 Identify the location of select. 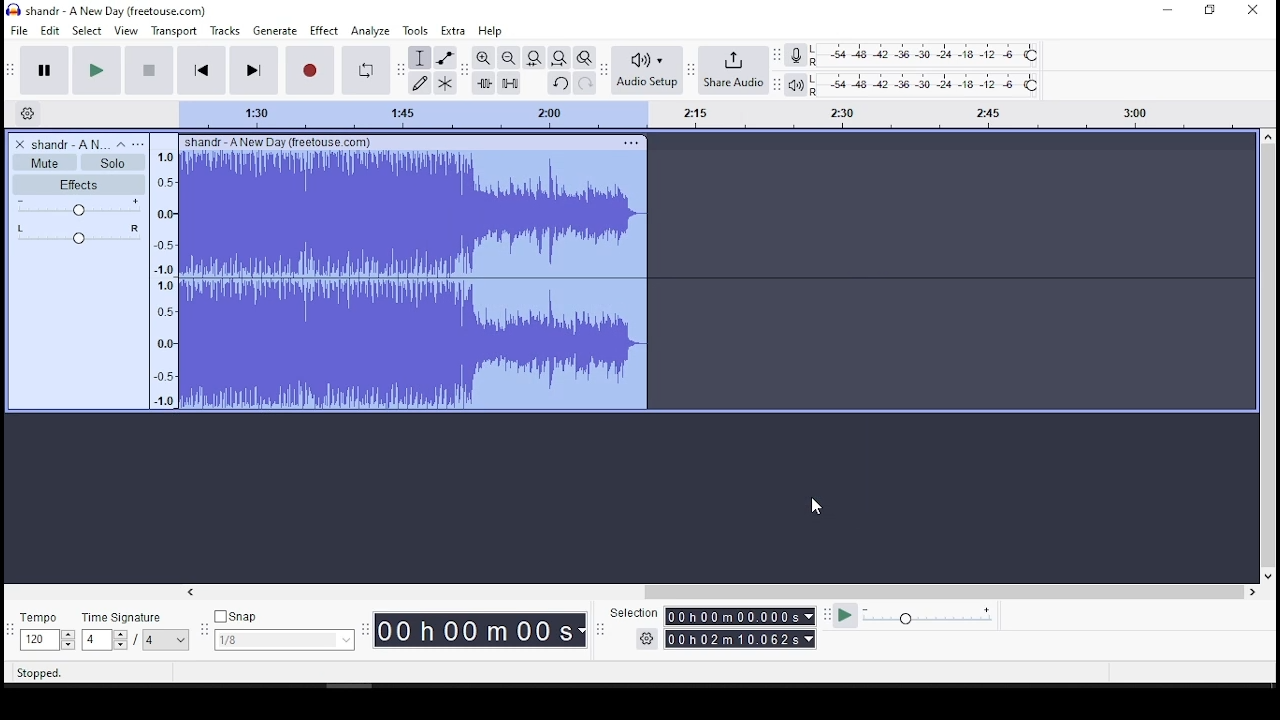
(88, 31).